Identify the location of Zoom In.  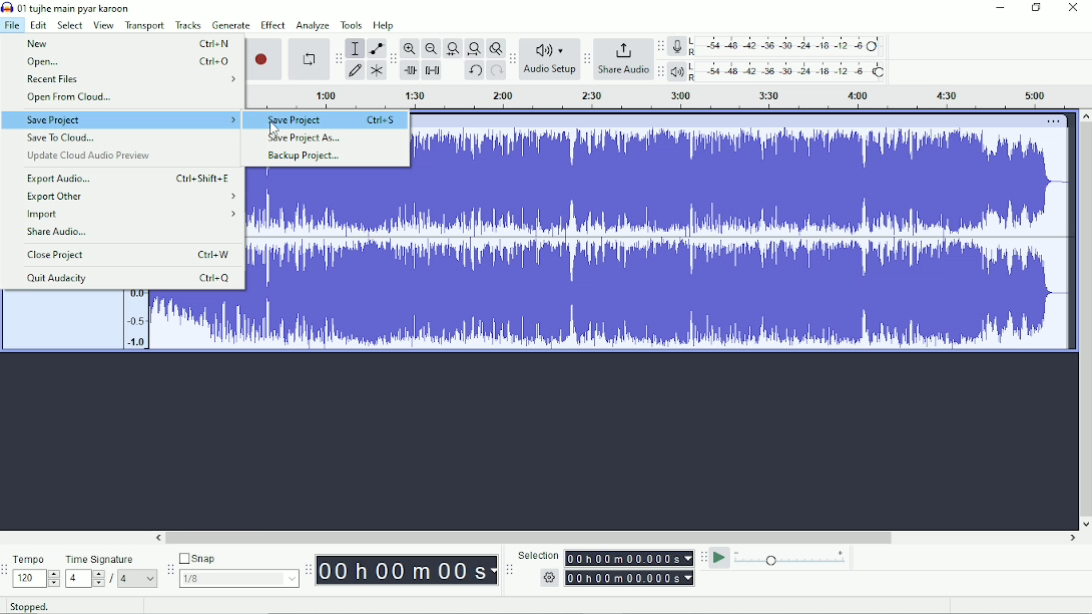
(410, 48).